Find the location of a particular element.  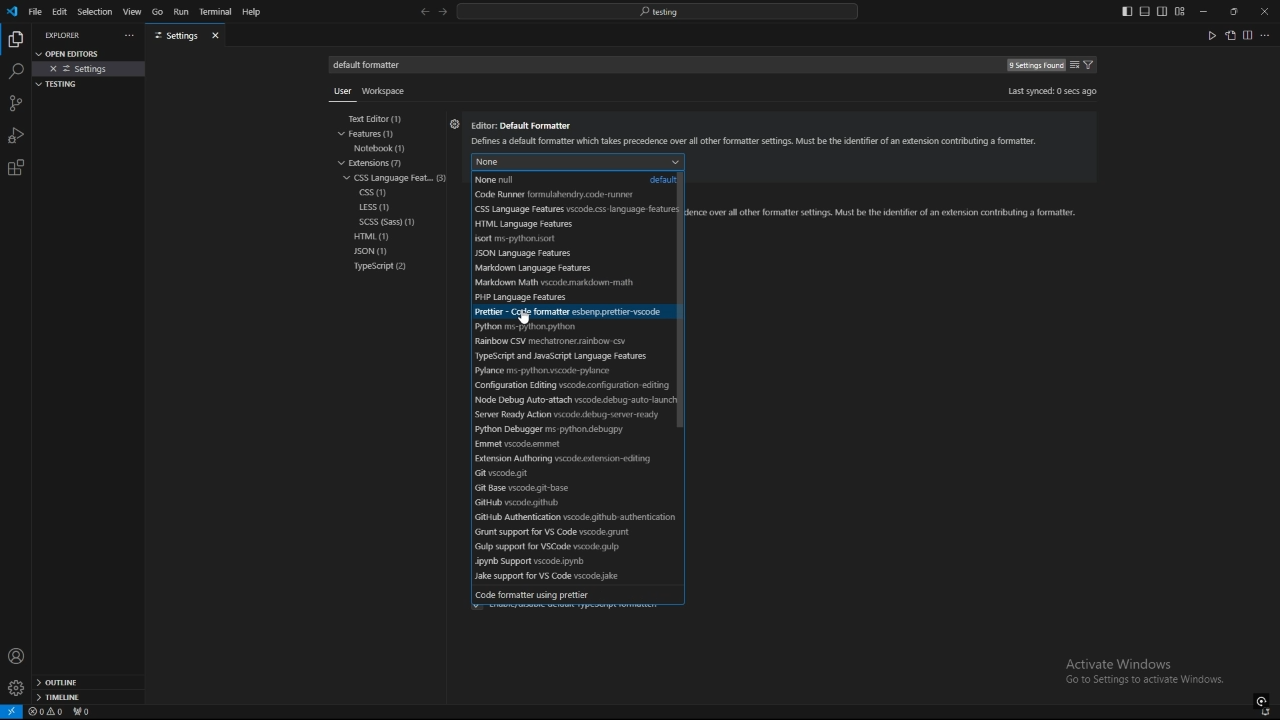

default formatter is located at coordinates (374, 65).